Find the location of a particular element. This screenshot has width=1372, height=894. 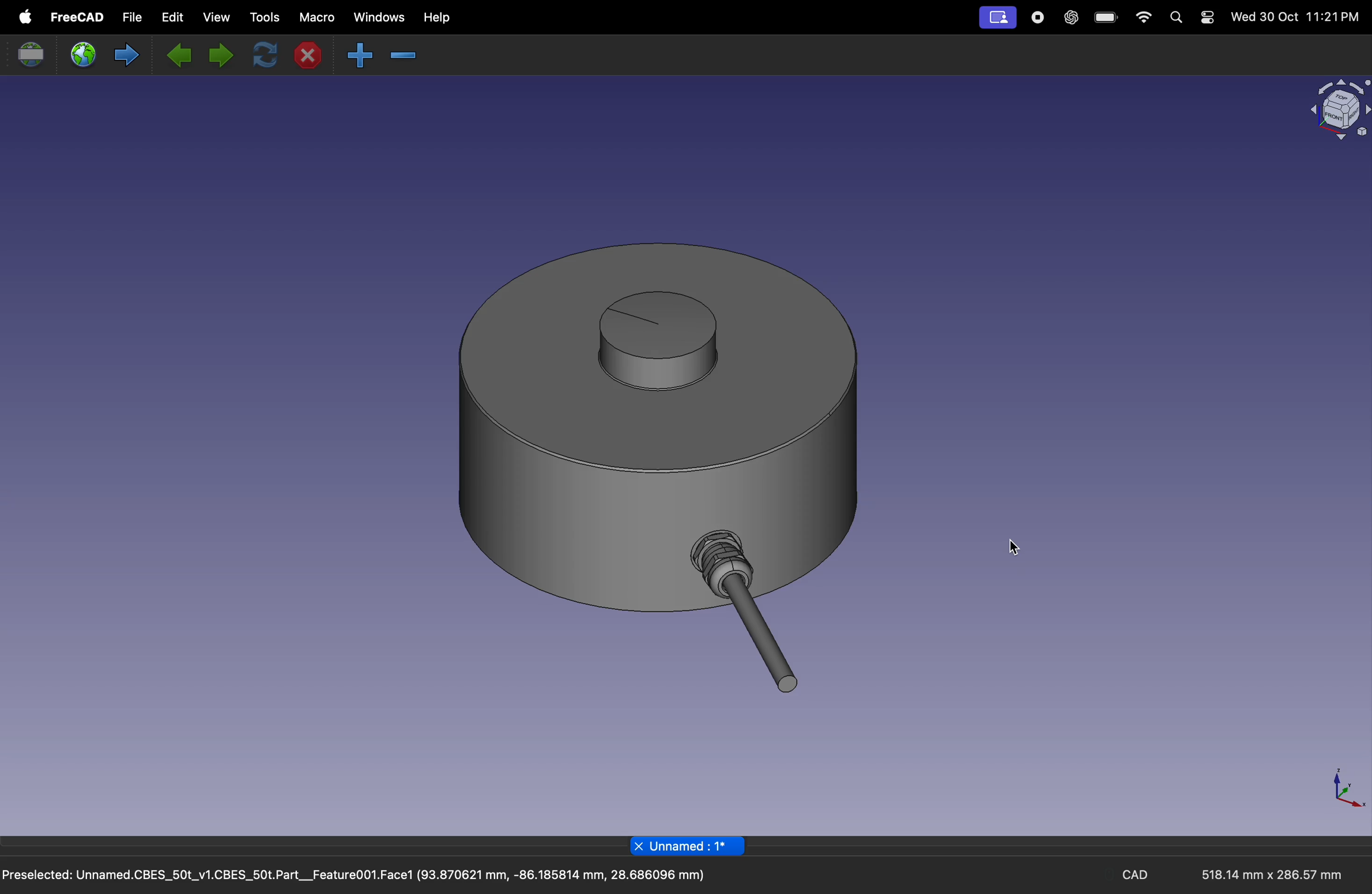

marco is located at coordinates (315, 18).